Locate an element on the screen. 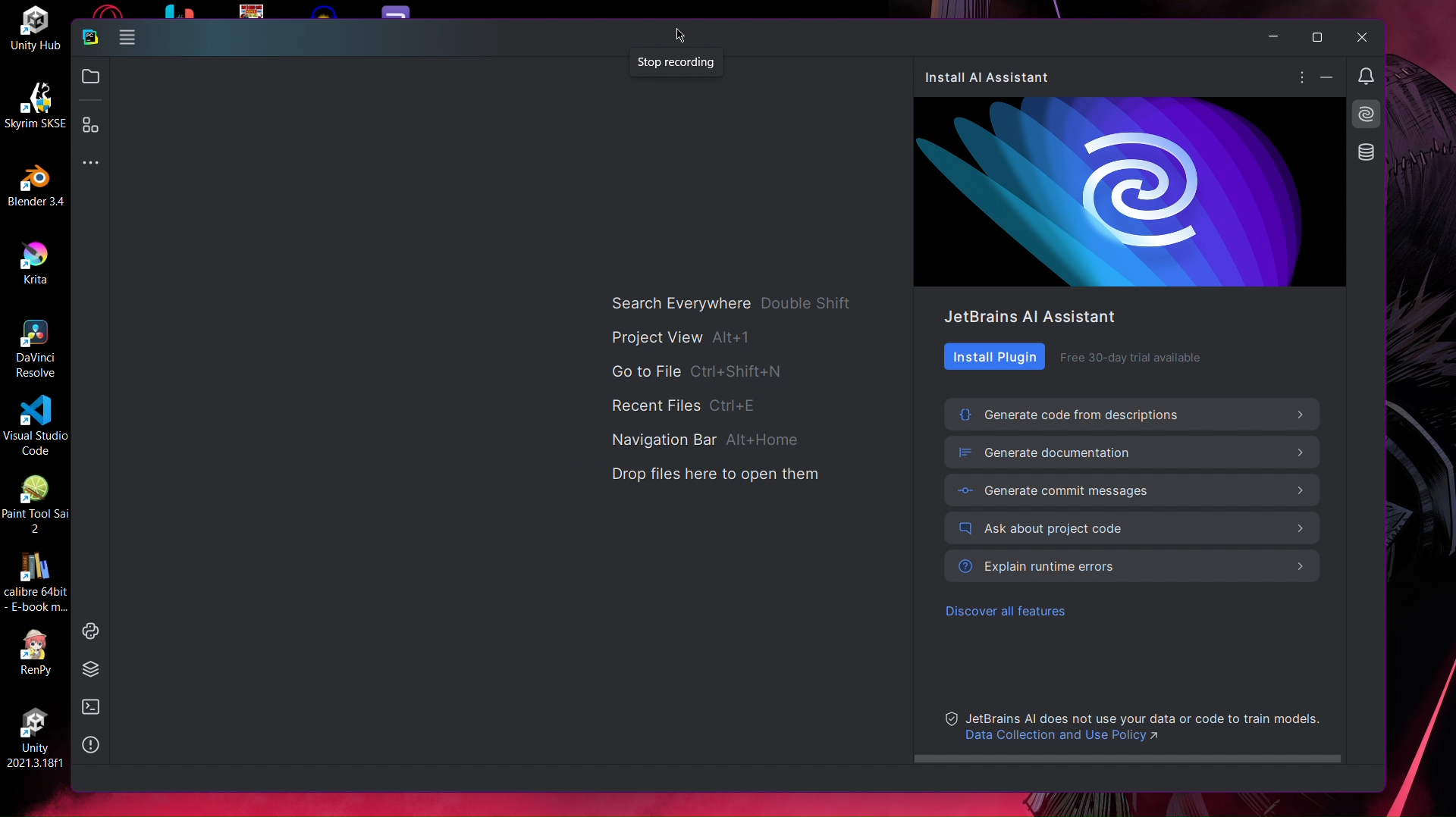 This screenshot has width=1456, height=817. Project View is located at coordinates (686, 338).